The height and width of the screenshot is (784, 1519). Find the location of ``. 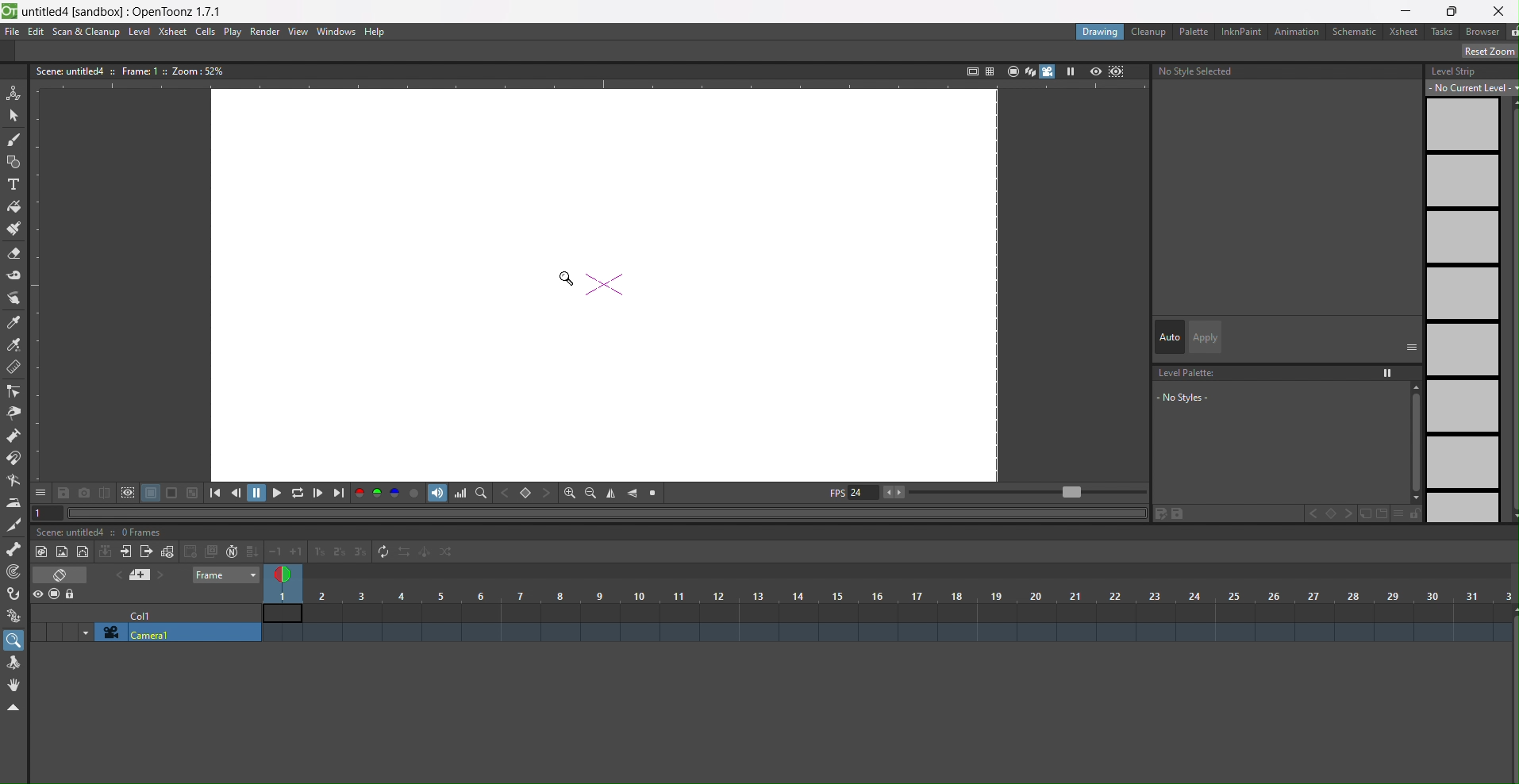

 is located at coordinates (395, 493).